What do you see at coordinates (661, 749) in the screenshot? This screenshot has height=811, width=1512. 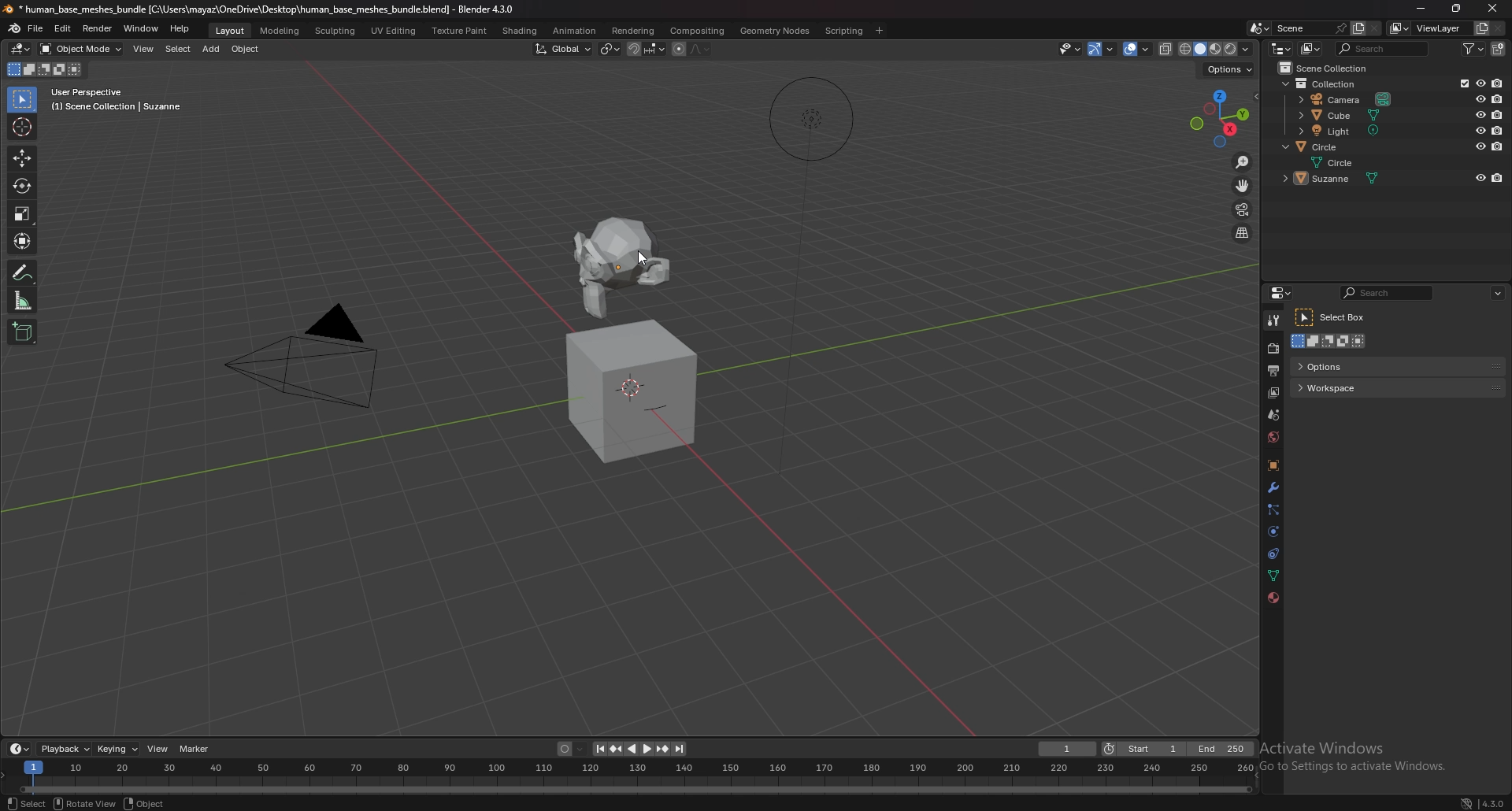 I see `jump to keyframe` at bounding box center [661, 749].